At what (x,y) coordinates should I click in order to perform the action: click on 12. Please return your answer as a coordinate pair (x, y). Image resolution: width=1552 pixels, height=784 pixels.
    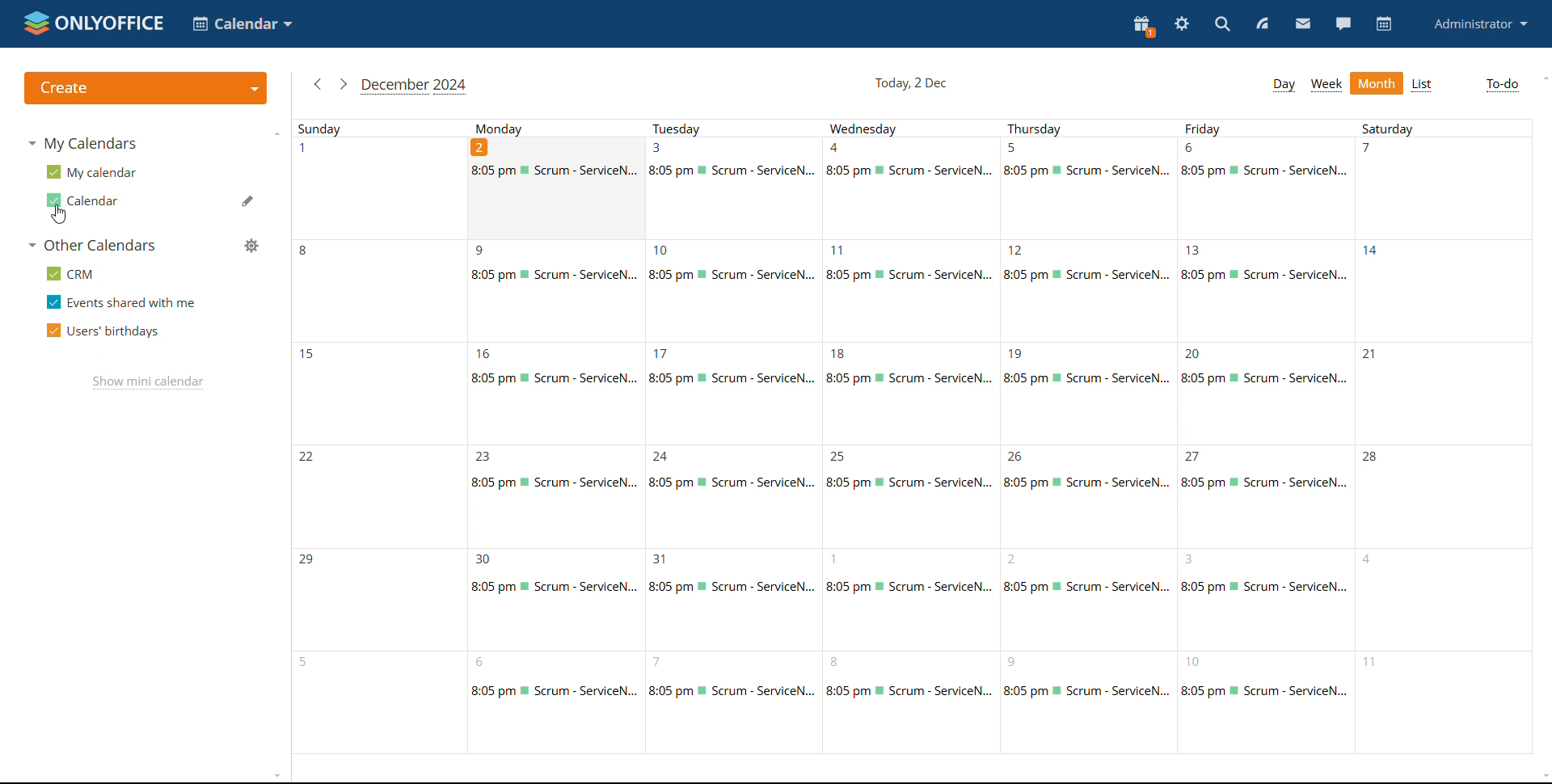
    Looking at the image, I should click on (1091, 294).